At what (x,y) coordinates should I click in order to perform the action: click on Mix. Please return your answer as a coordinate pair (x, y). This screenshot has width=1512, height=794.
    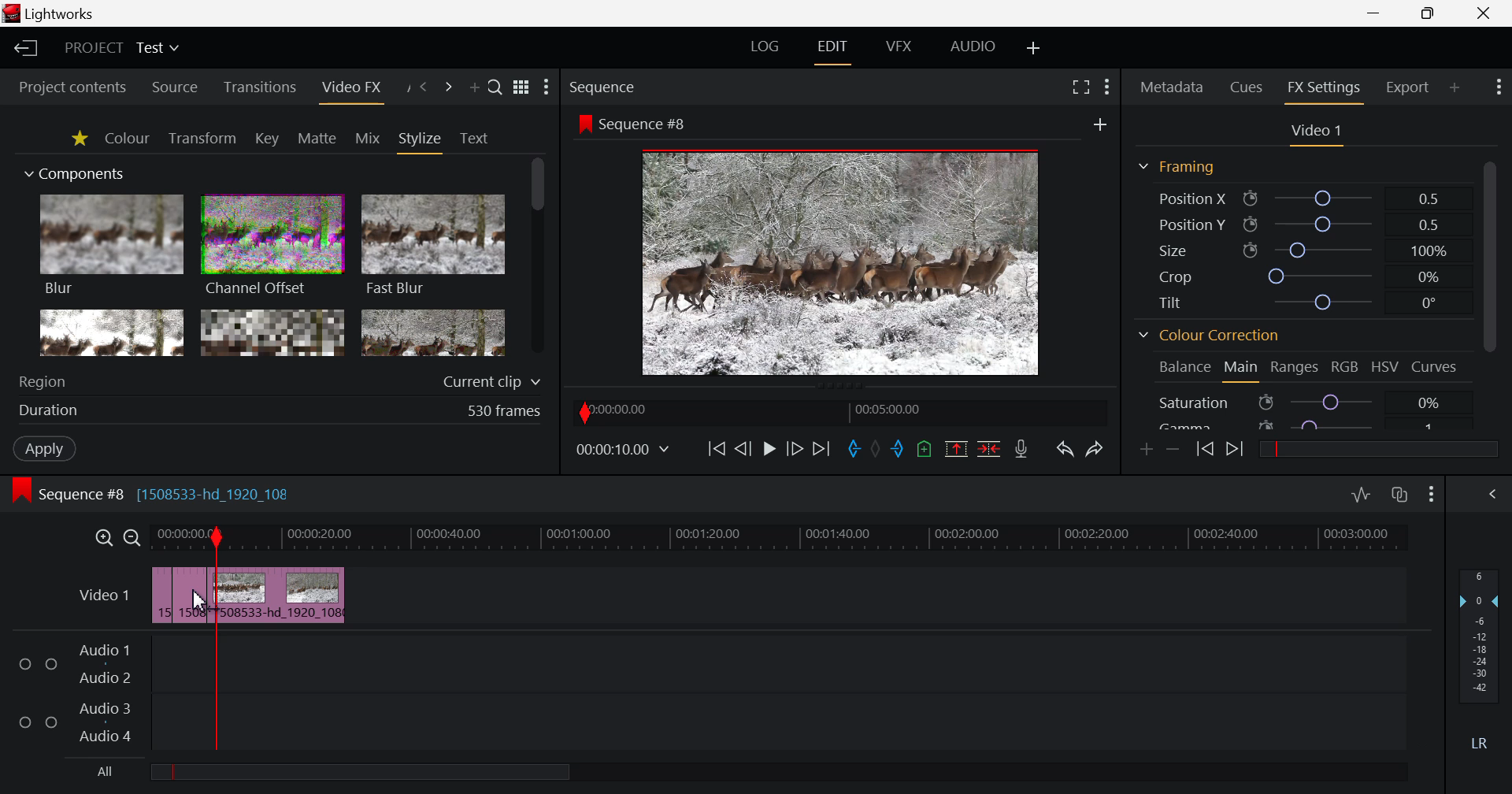
    Looking at the image, I should click on (368, 138).